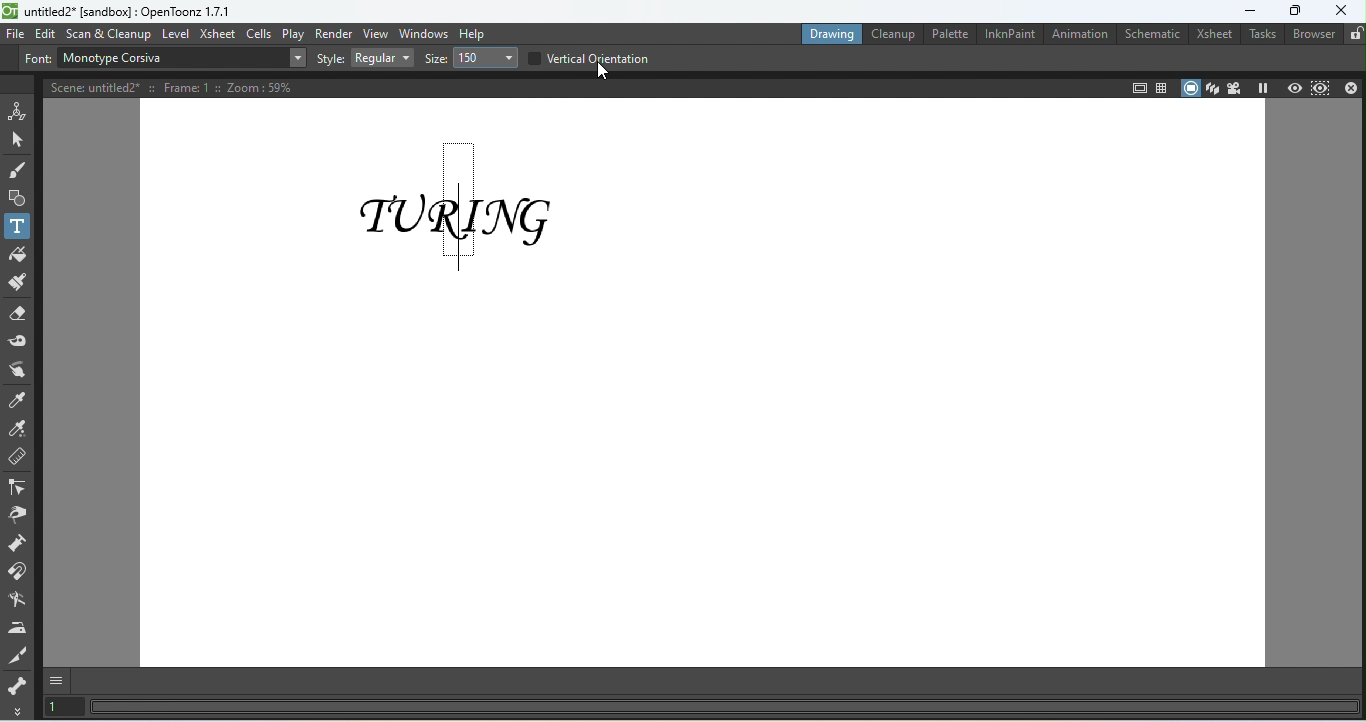 The image size is (1366, 722). What do you see at coordinates (1137, 87) in the screenshot?
I see `Field guide` at bounding box center [1137, 87].